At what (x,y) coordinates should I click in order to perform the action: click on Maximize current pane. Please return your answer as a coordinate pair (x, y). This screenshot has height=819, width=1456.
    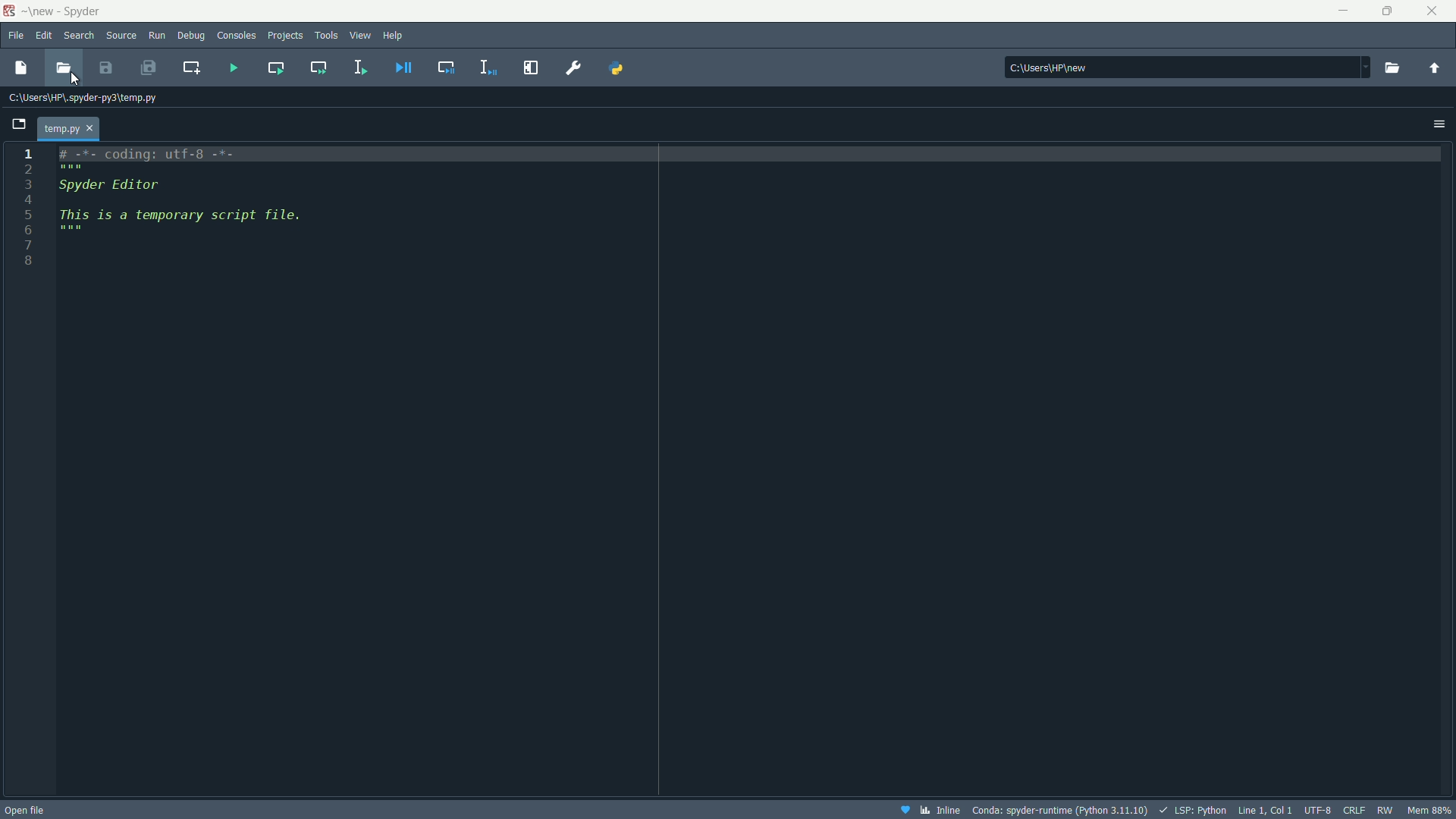
    Looking at the image, I should click on (532, 67).